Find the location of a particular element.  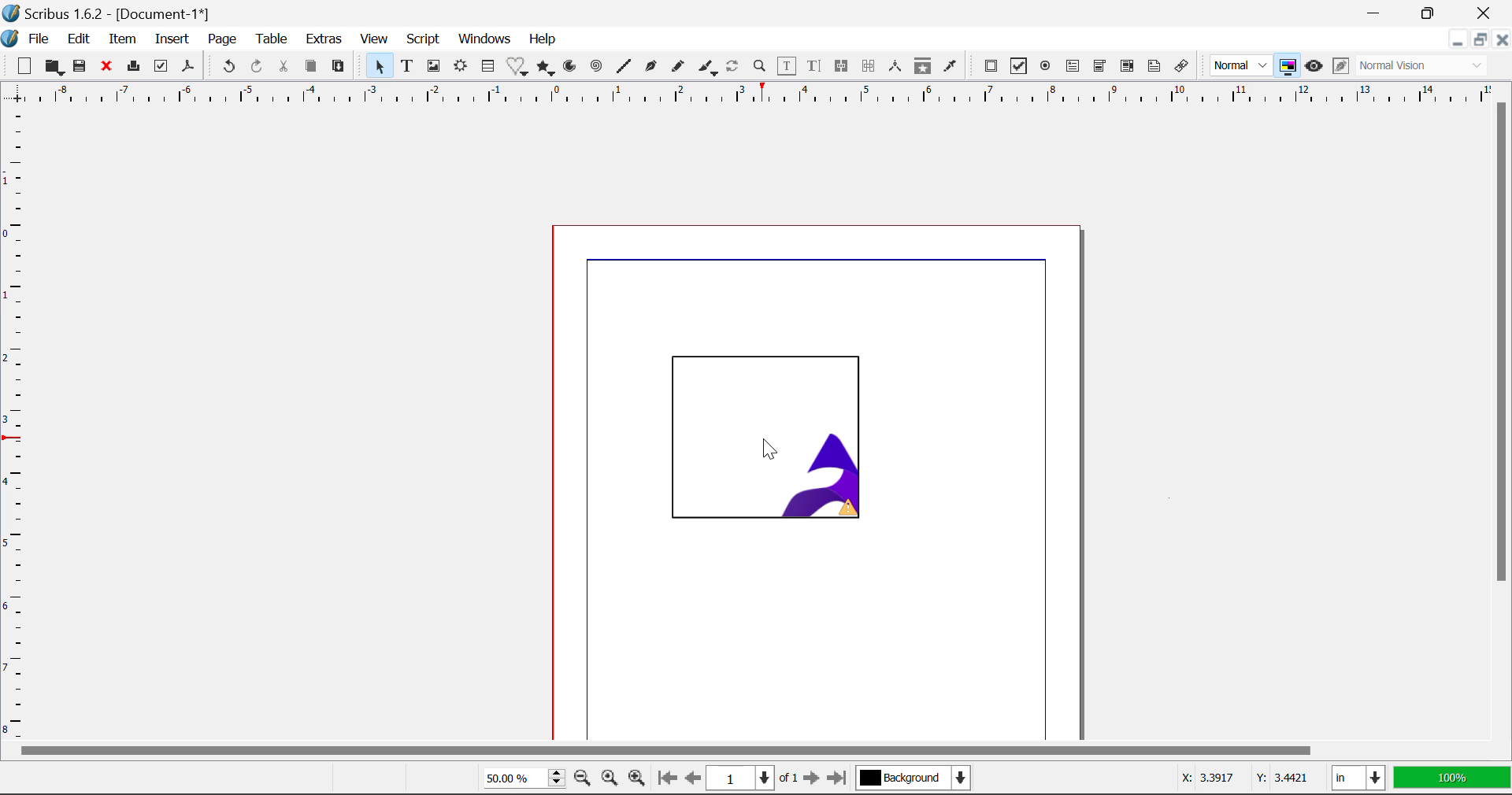

Cursor is located at coordinates (769, 449).